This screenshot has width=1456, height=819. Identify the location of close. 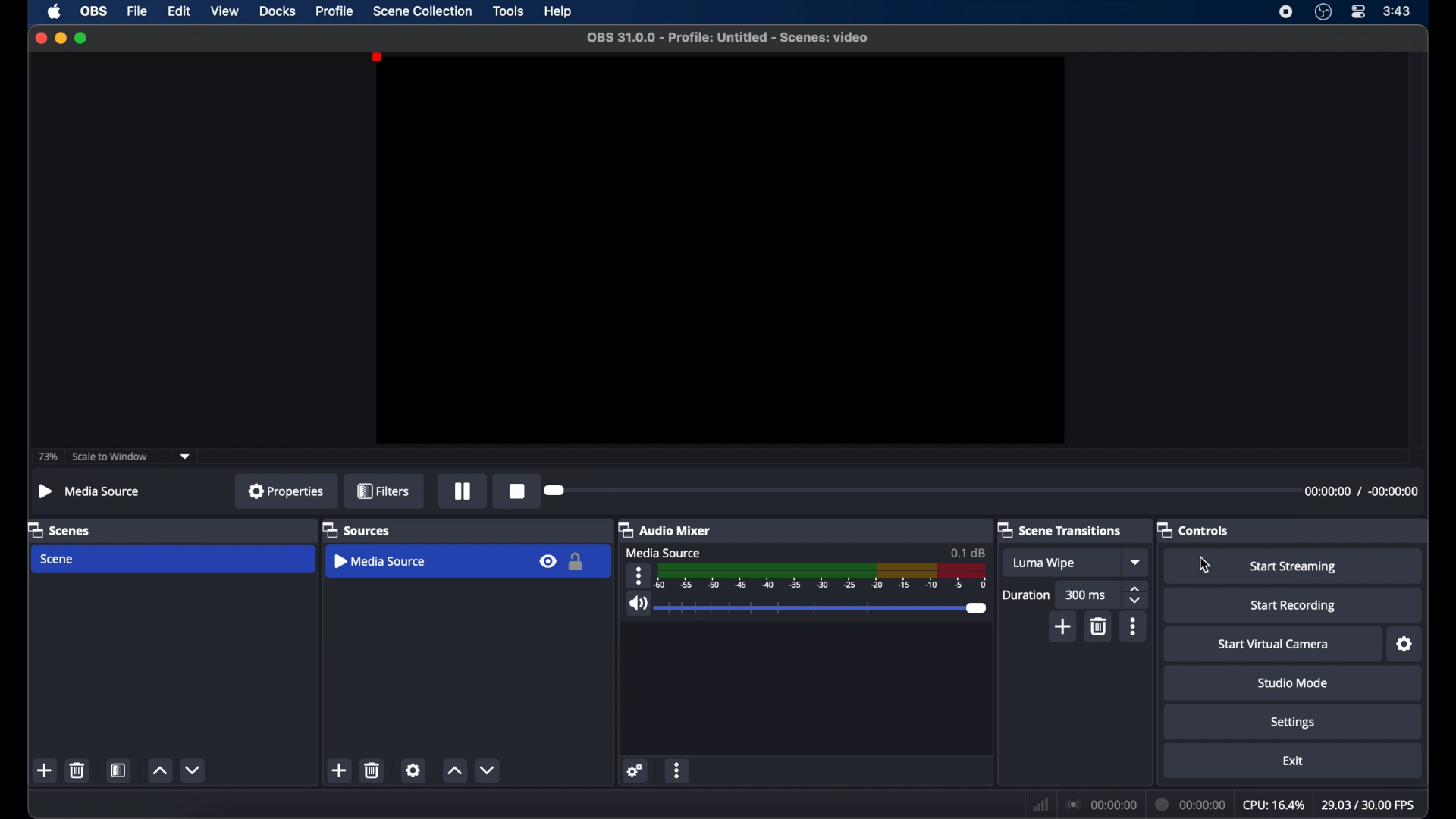
(41, 38).